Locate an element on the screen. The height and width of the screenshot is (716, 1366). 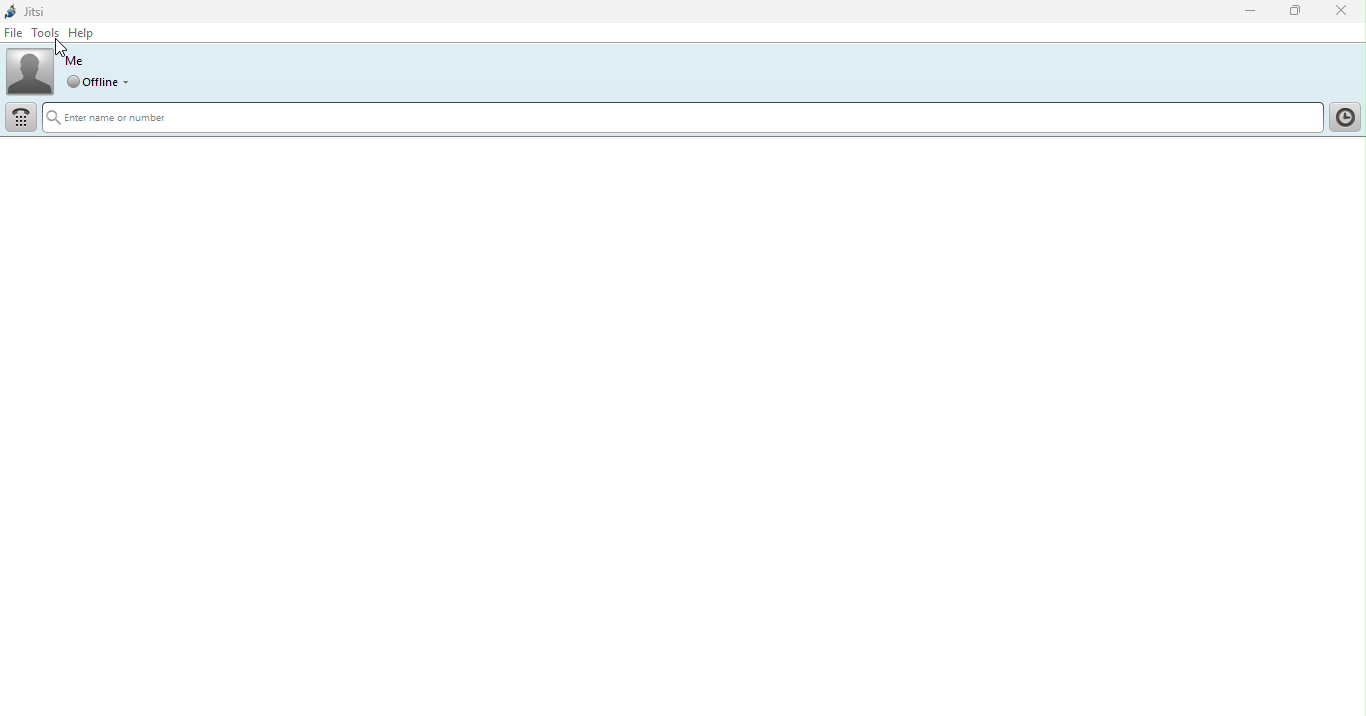
Dial pad is located at coordinates (23, 118).